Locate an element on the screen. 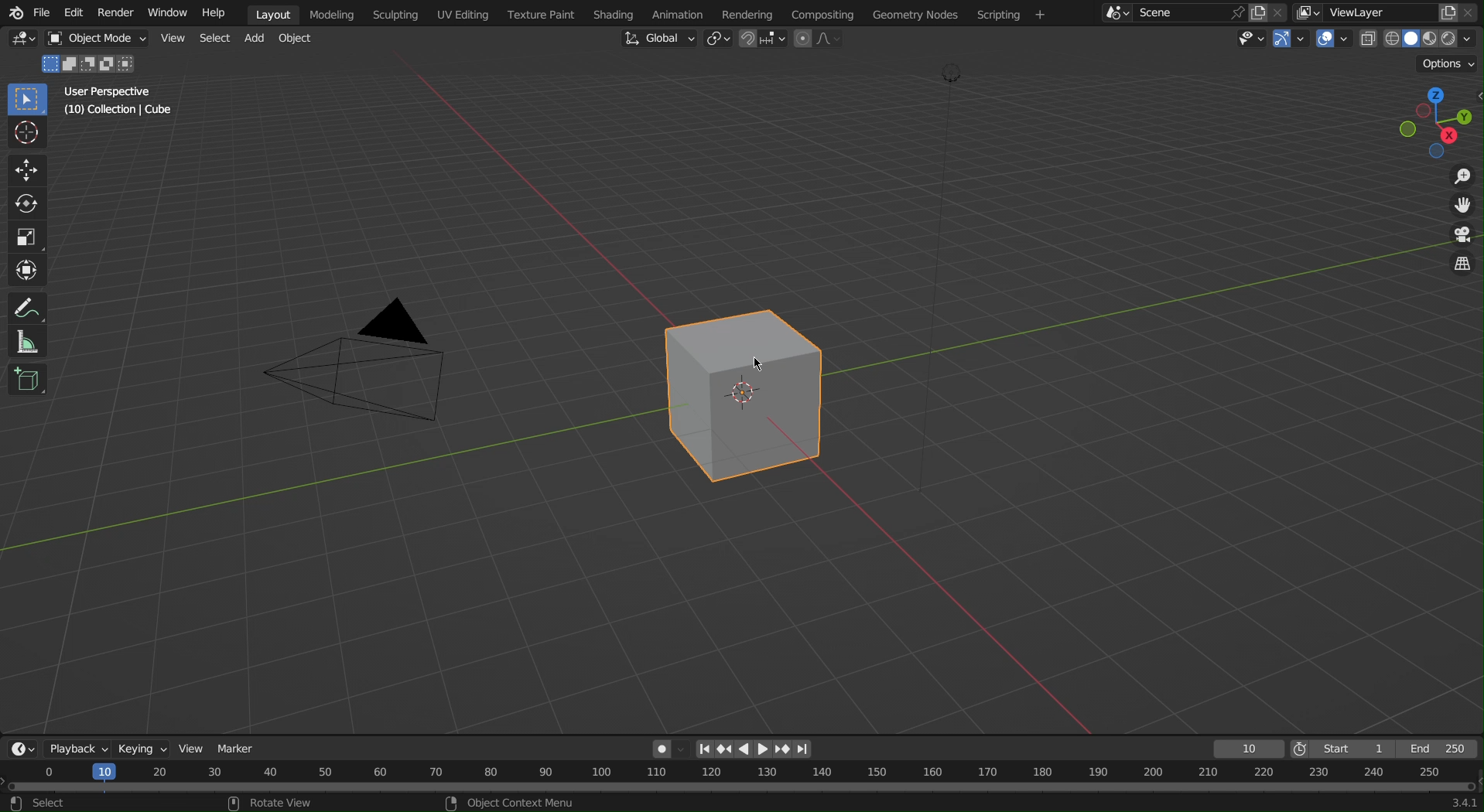 This screenshot has width=1484, height=812. End is located at coordinates (1441, 749).